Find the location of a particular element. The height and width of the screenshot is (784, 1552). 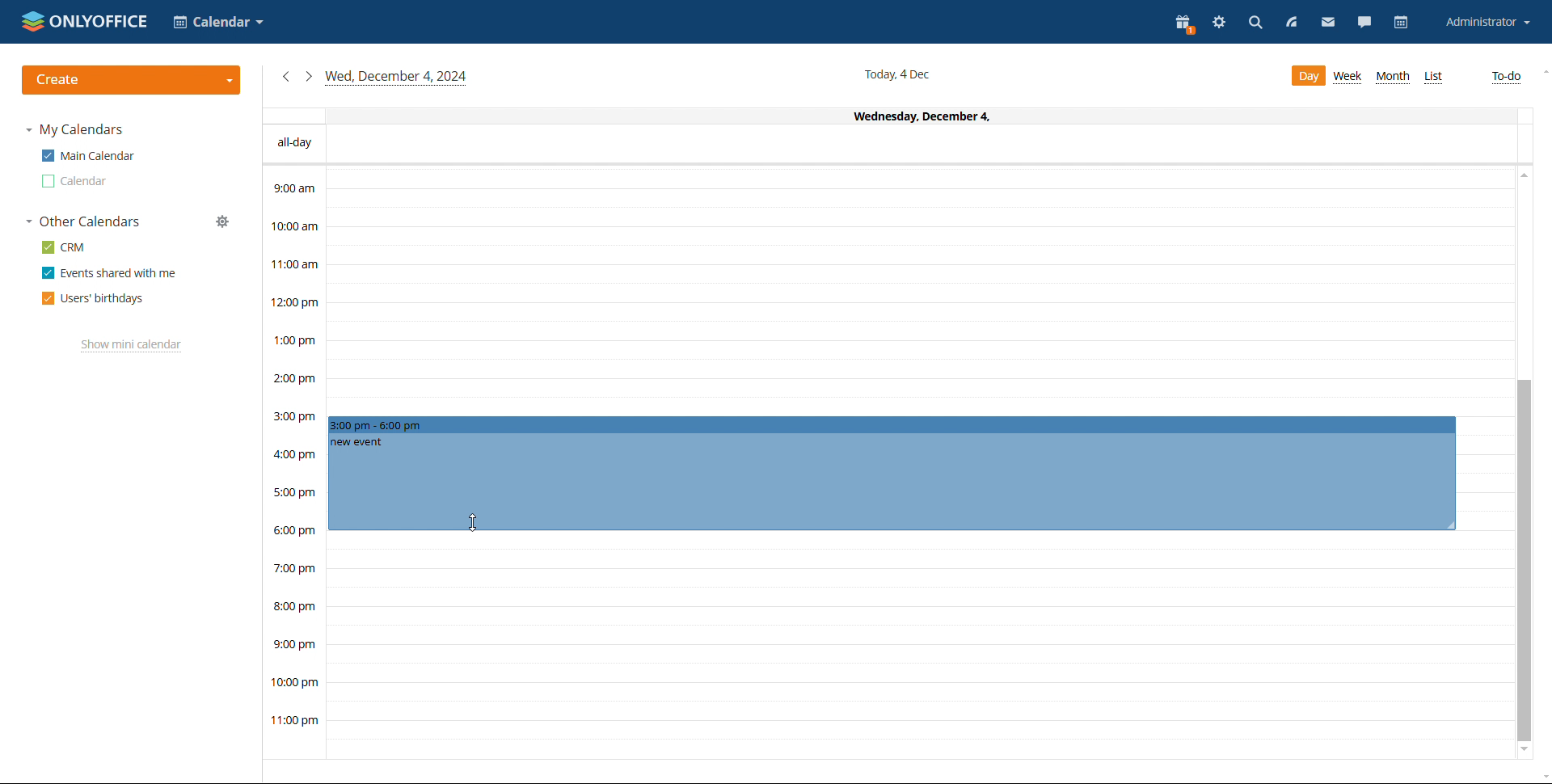

day view is located at coordinates (1307, 76).